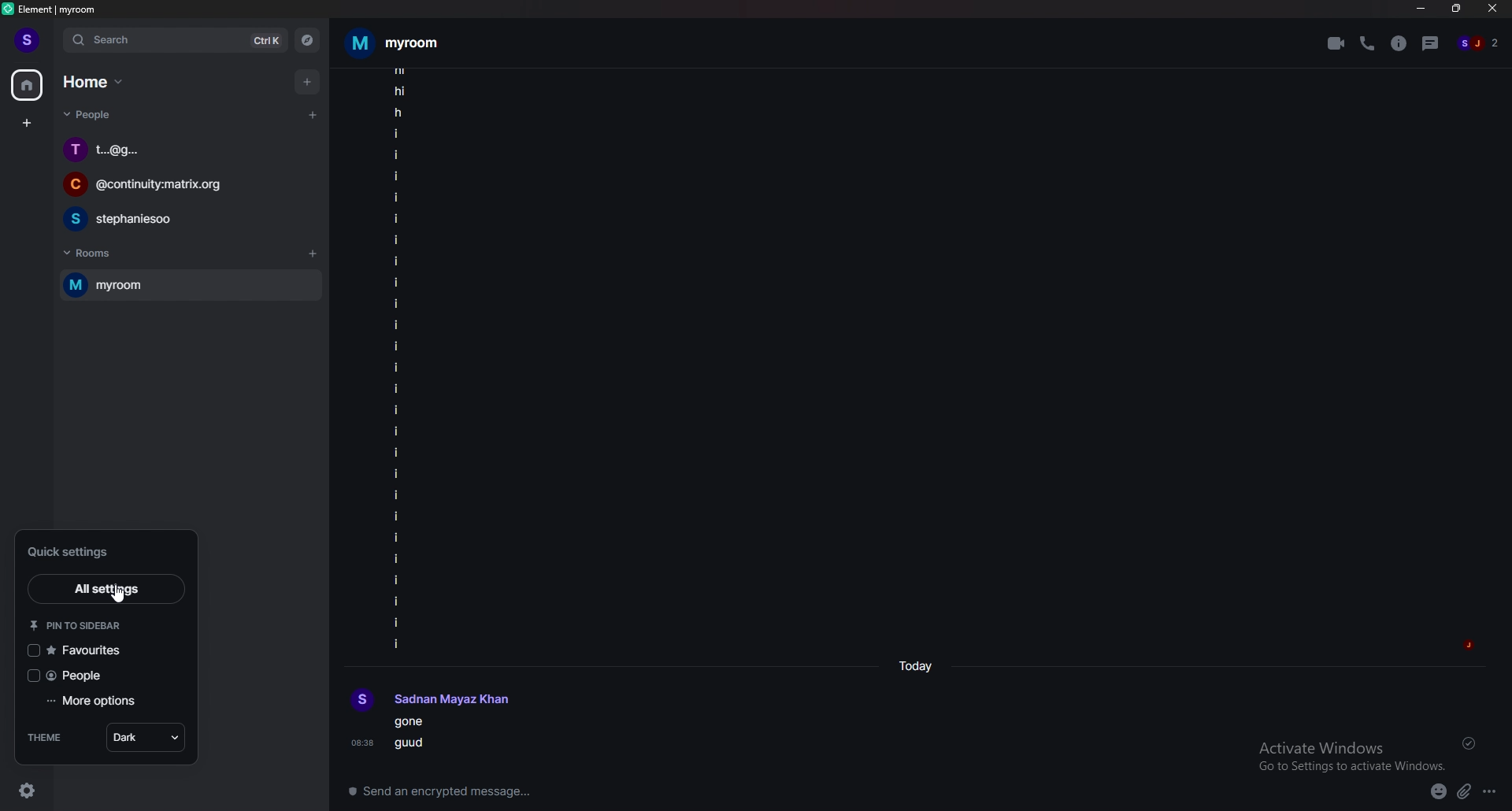 The image size is (1512, 811). What do you see at coordinates (1336, 43) in the screenshot?
I see `video call` at bounding box center [1336, 43].